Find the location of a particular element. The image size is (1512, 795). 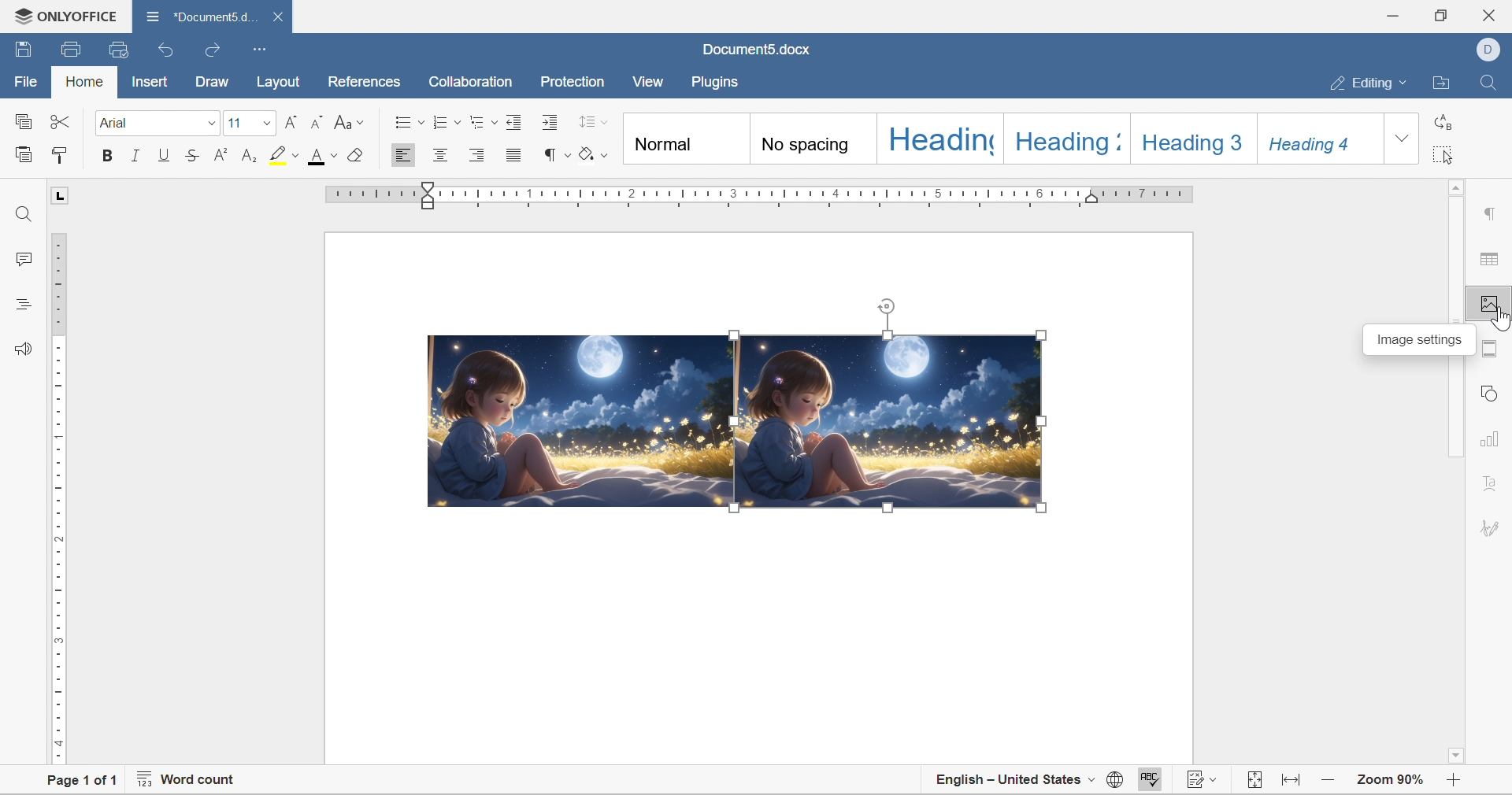

increase indent is located at coordinates (553, 122).